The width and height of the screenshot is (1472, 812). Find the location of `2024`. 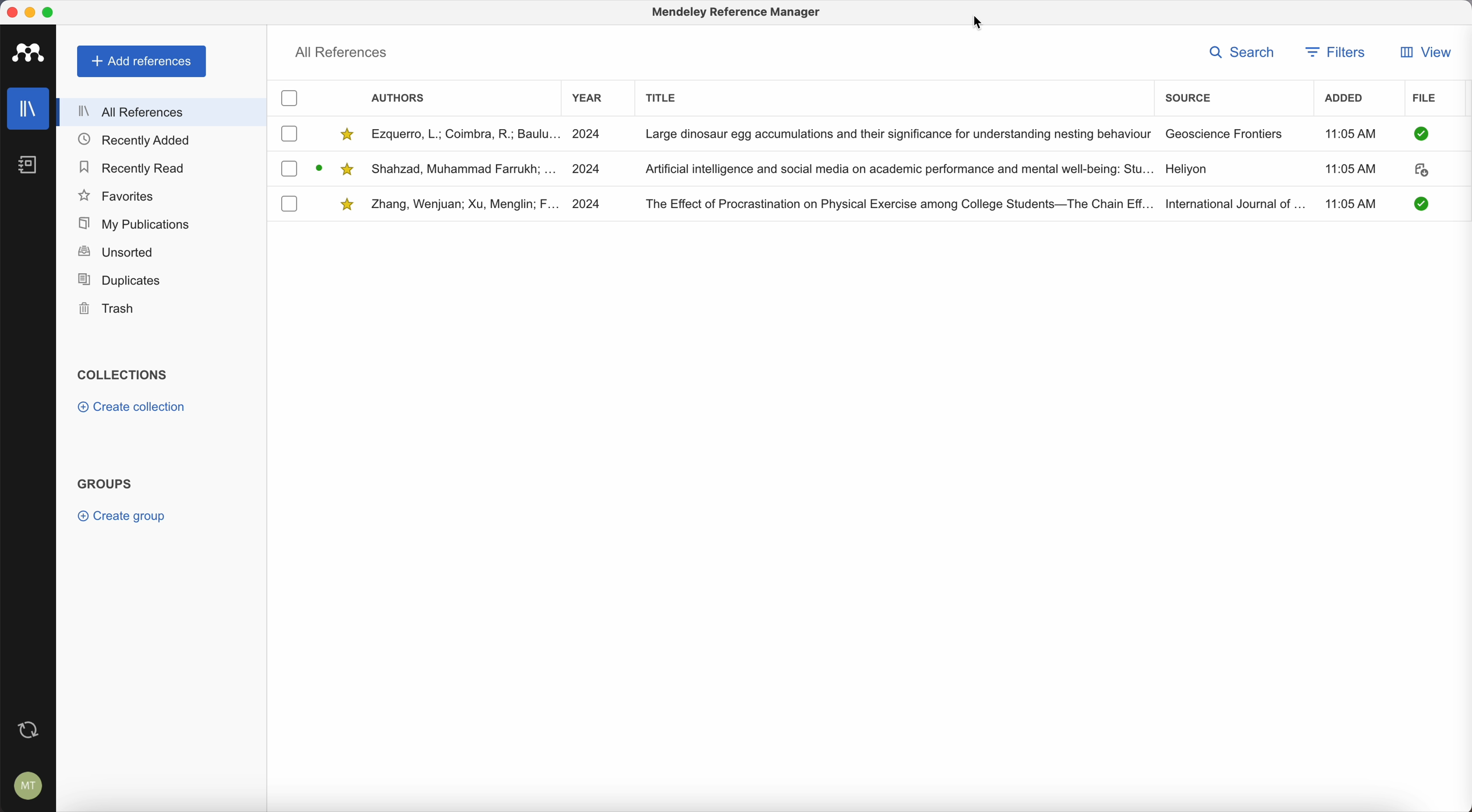

2024 is located at coordinates (587, 204).